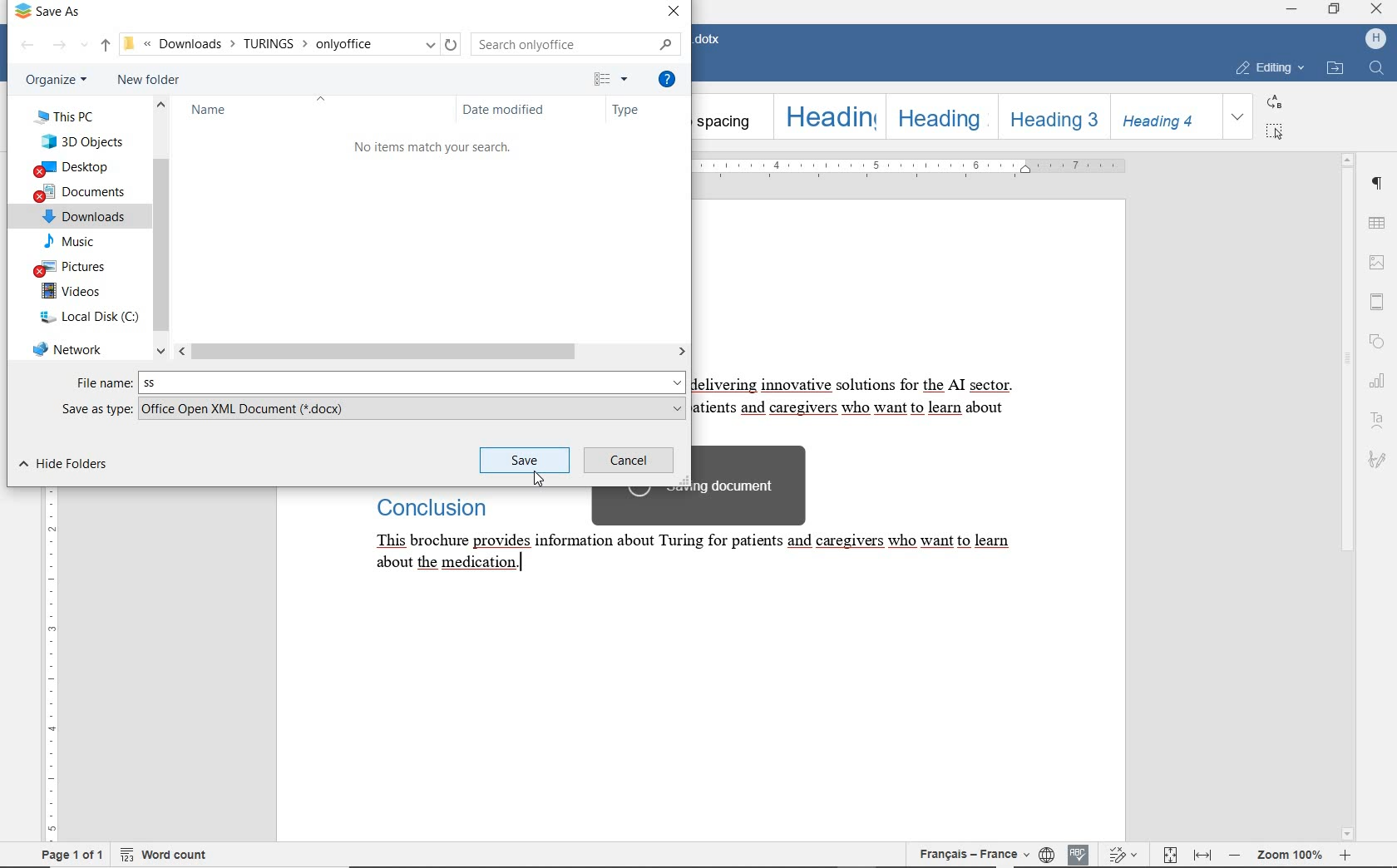  What do you see at coordinates (828, 116) in the screenshot?
I see `HEADING 1` at bounding box center [828, 116].